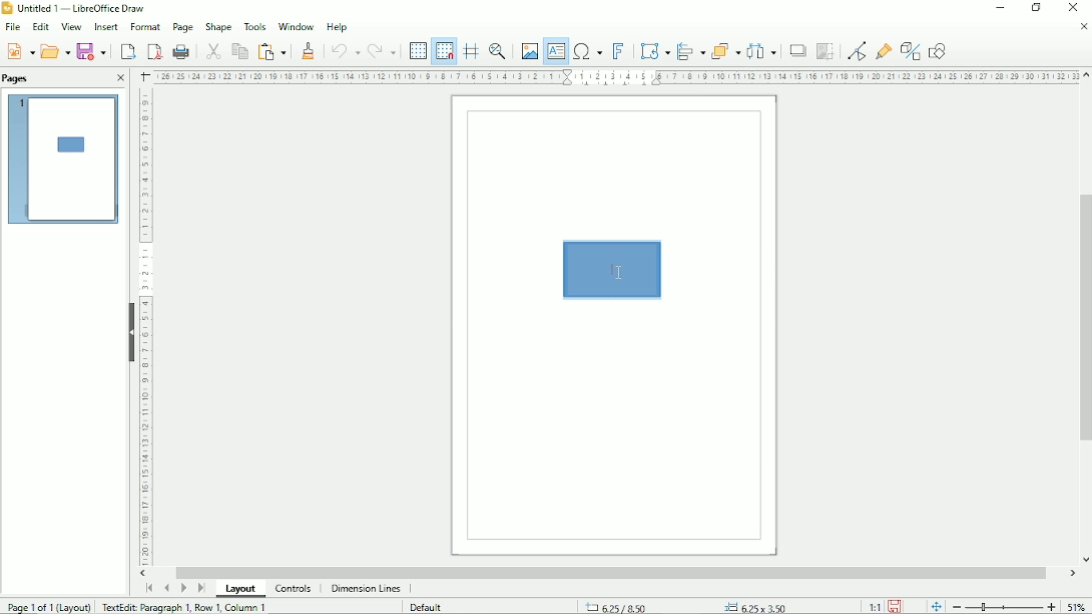  What do you see at coordinates (20, 51) in the screenshot?
I see `Save` at bounding box center [20, 51].